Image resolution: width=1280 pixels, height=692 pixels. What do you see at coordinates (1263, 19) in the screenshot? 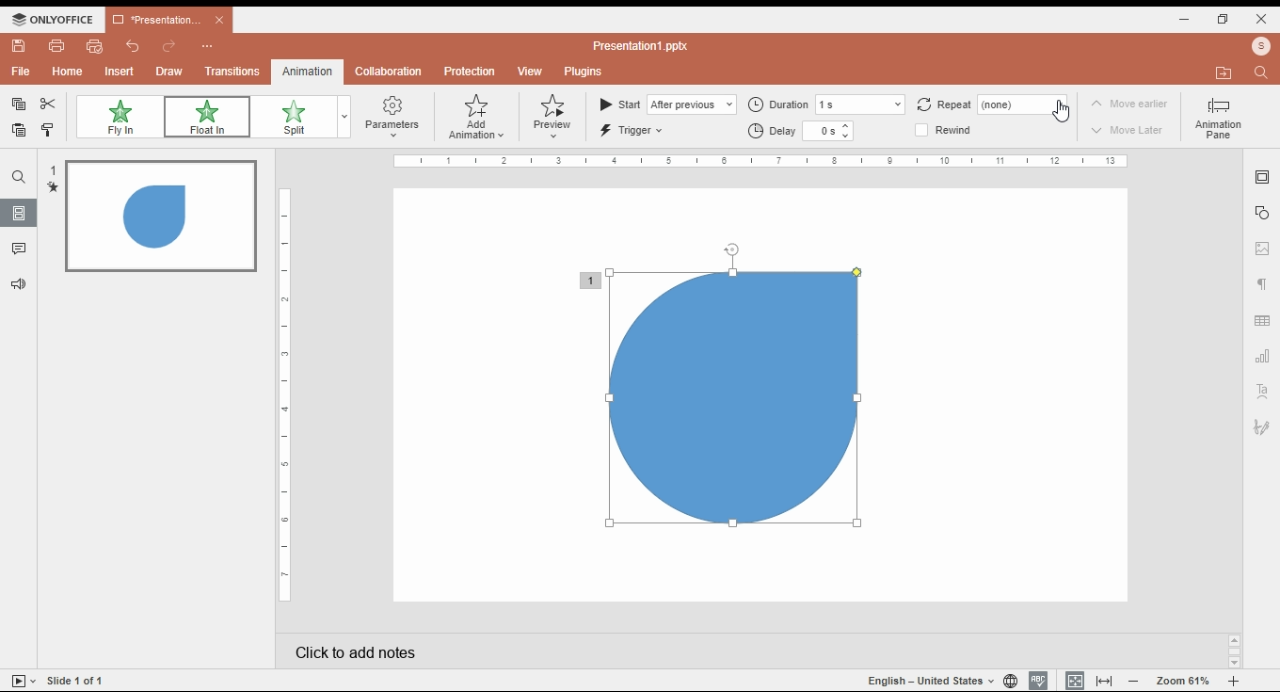
I see `close window` at bounding box center [1263, 19].